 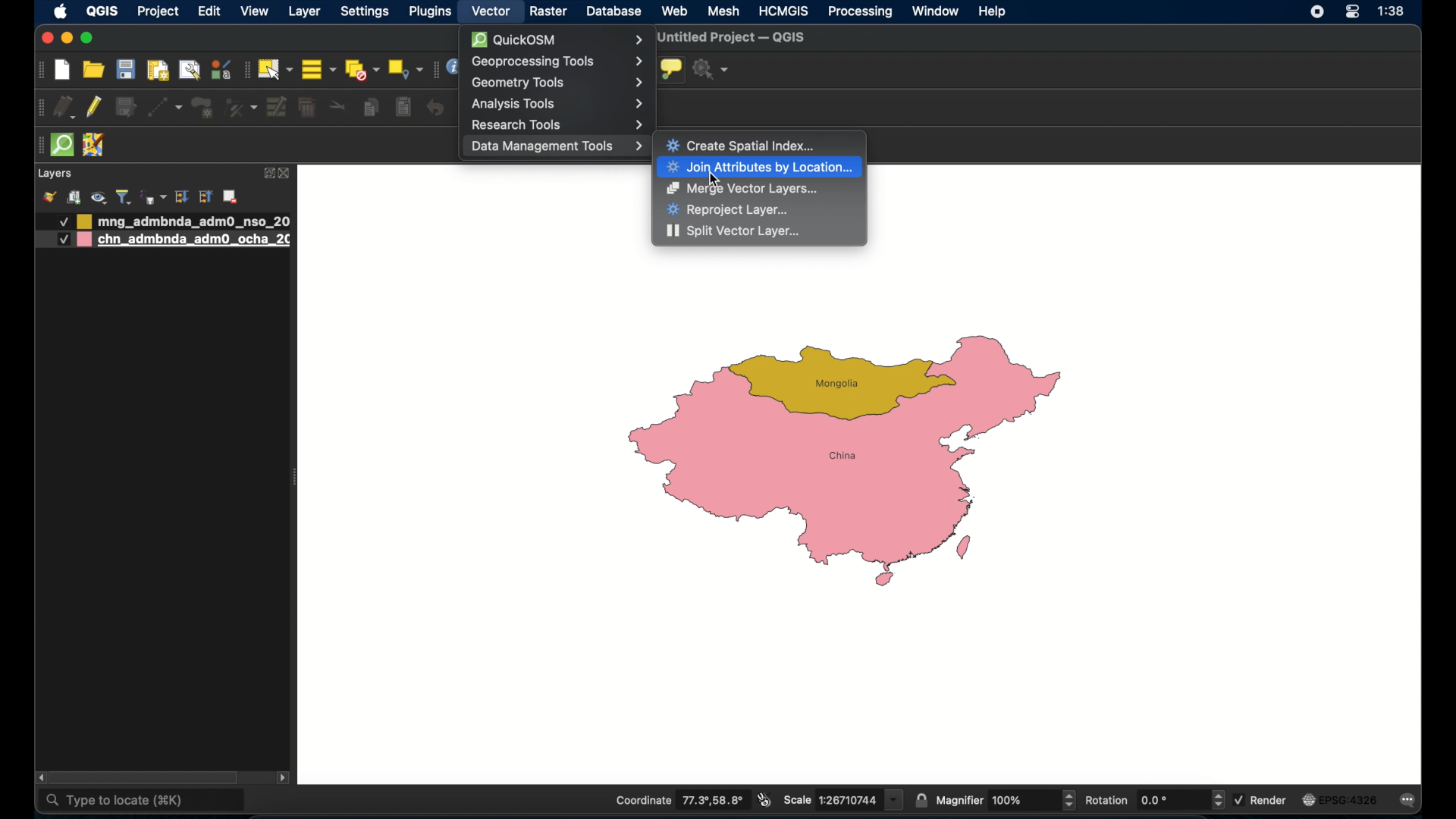 What do you see at coordinates (189, 71) in the screenshot?
I see `show layout manager` at bounding box center [189, 71].